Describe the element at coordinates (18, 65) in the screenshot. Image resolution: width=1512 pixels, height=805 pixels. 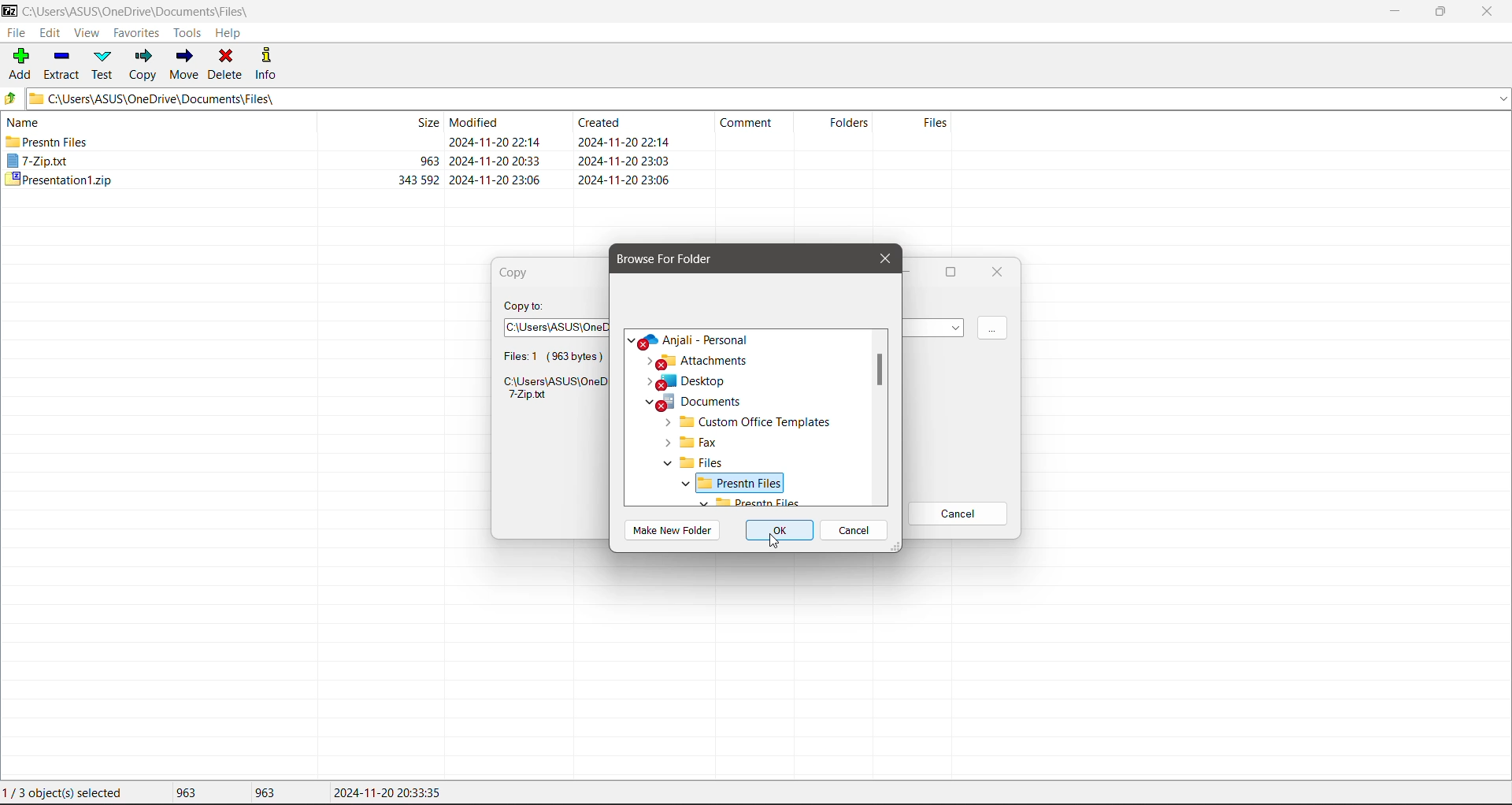
I see `Add` at that location.